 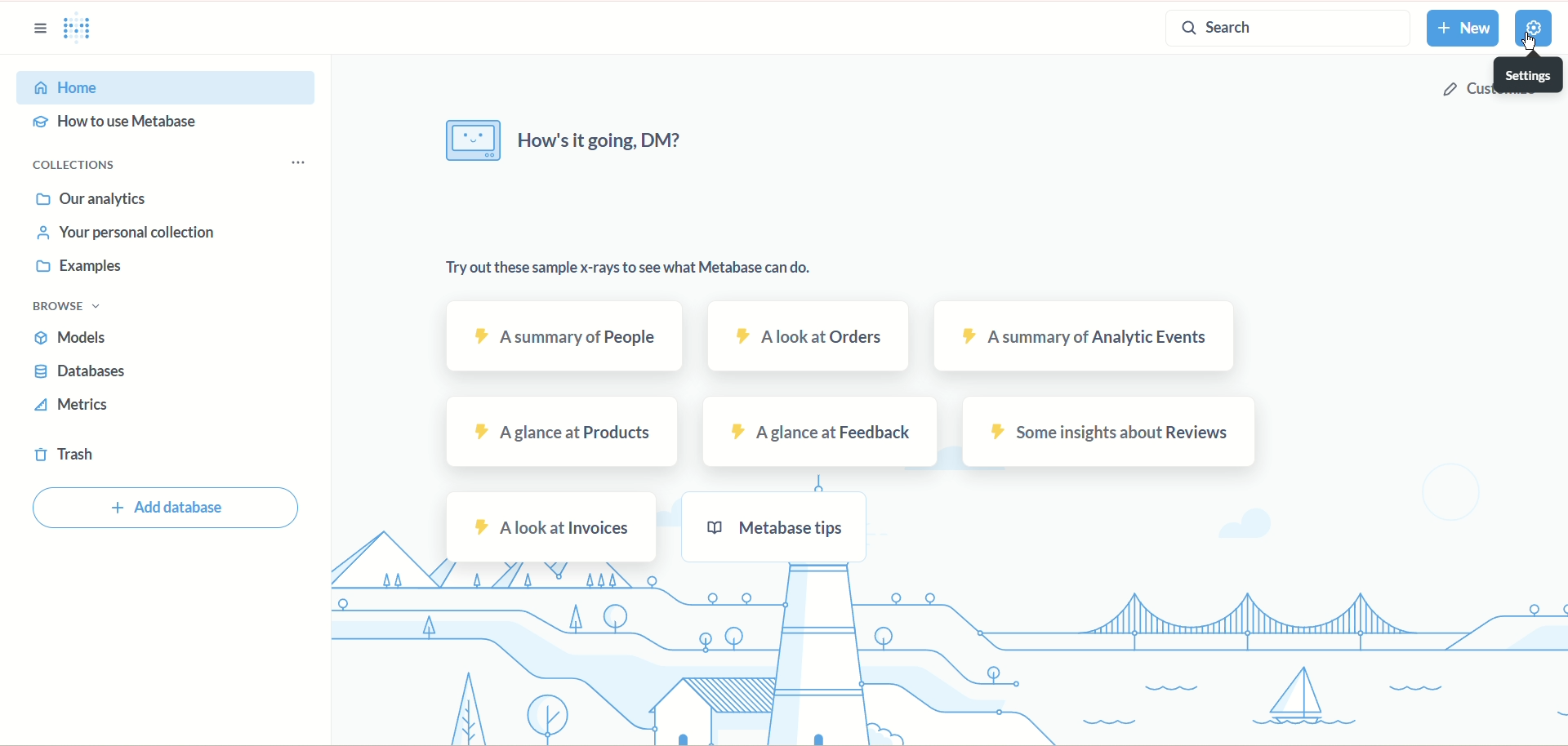 I want to click on databases, so click(x=78, y=372).